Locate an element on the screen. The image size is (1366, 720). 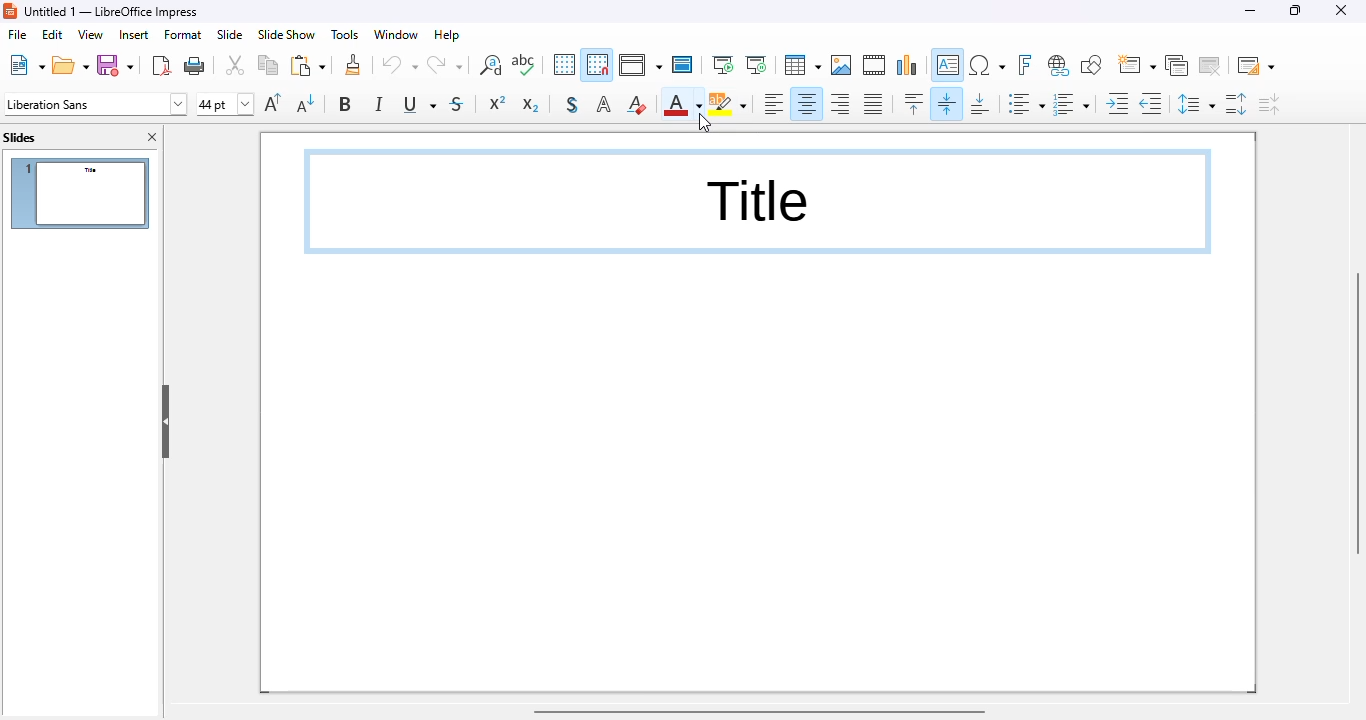
save is located at coordinates (115, 65).